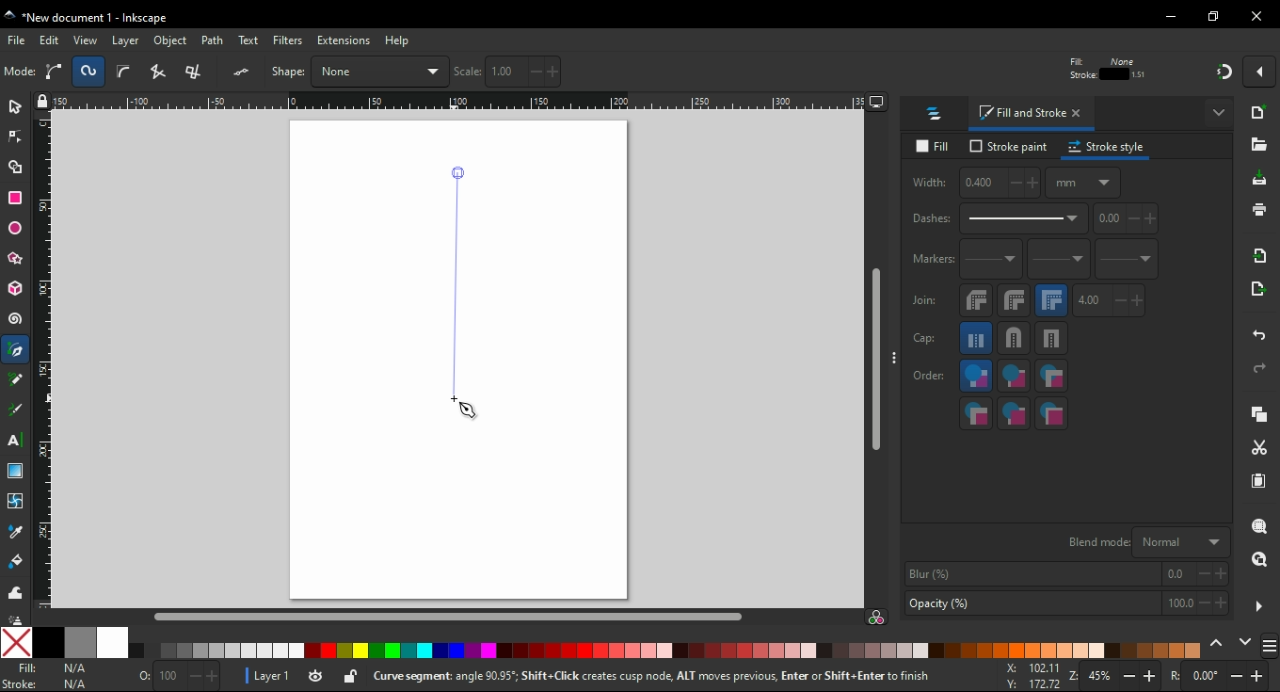  What do you see at coordinates (1083, 182) in the screenshot?
I see `measuring units` at bounding box center [1083, 182].